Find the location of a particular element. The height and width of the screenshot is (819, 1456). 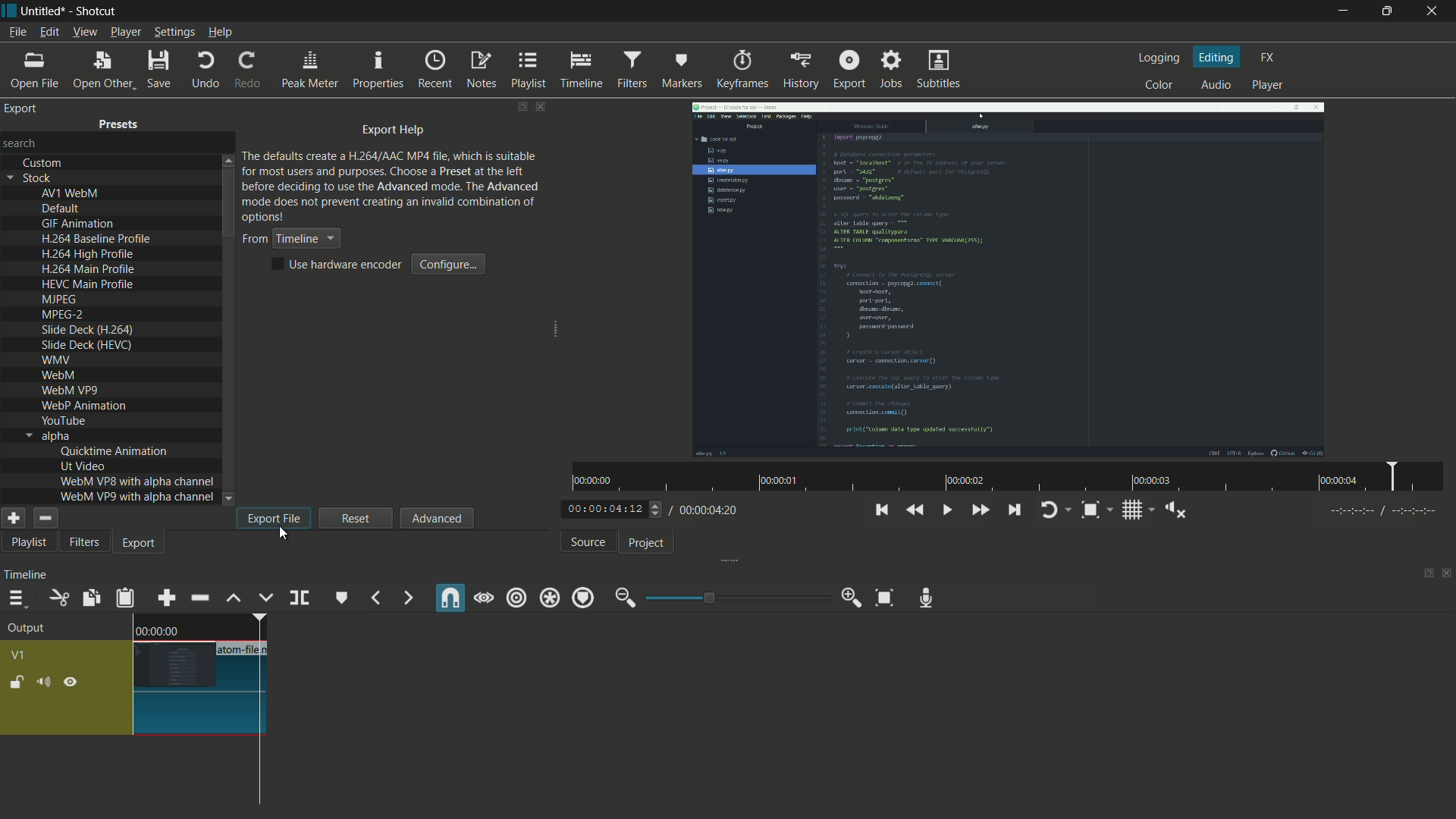

close filters is located at coordinates (542, 106).